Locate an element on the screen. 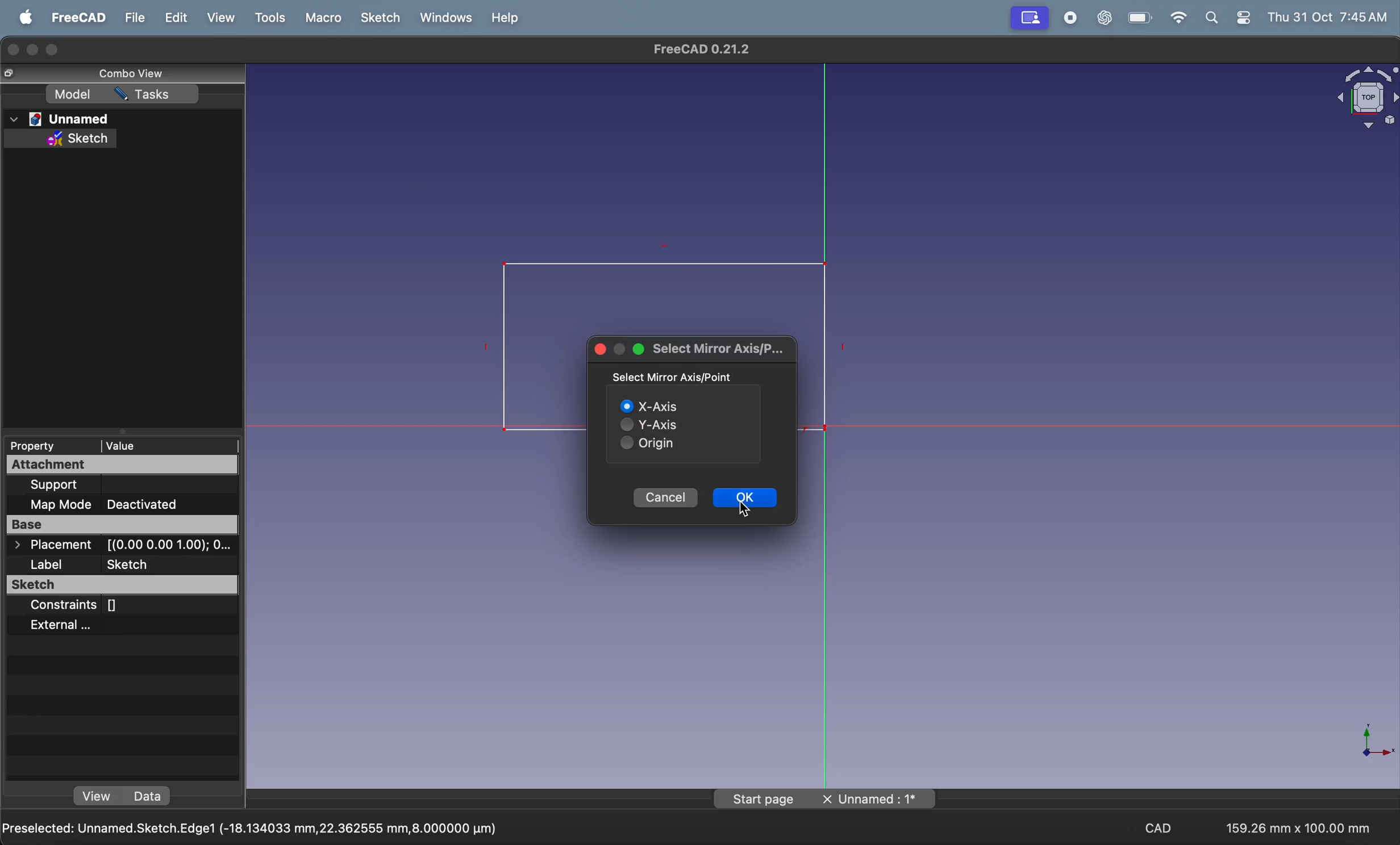 The height and width of the screenshot is (845, 1400). select mirror axis is located at coordinates (718, 348).